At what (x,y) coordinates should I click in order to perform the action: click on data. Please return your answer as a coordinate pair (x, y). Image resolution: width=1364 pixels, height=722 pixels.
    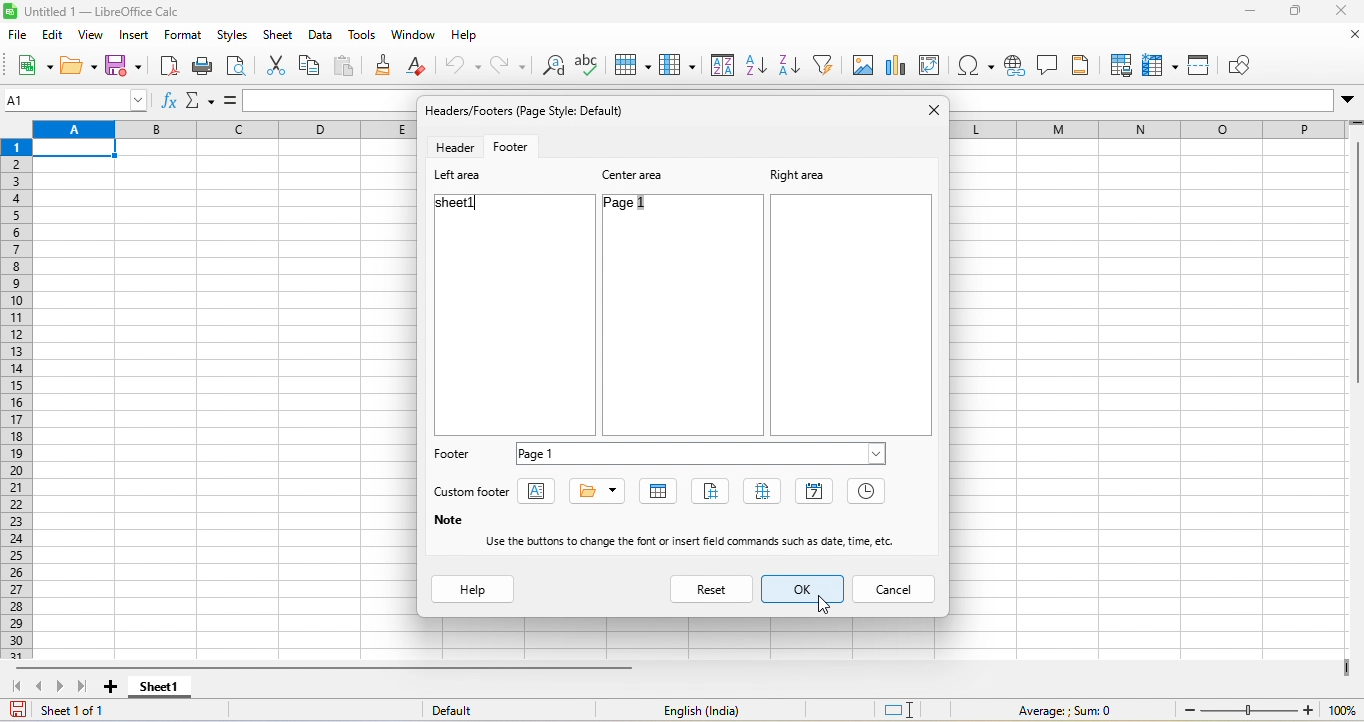
    Looking at the image, I should click on (322, 39).